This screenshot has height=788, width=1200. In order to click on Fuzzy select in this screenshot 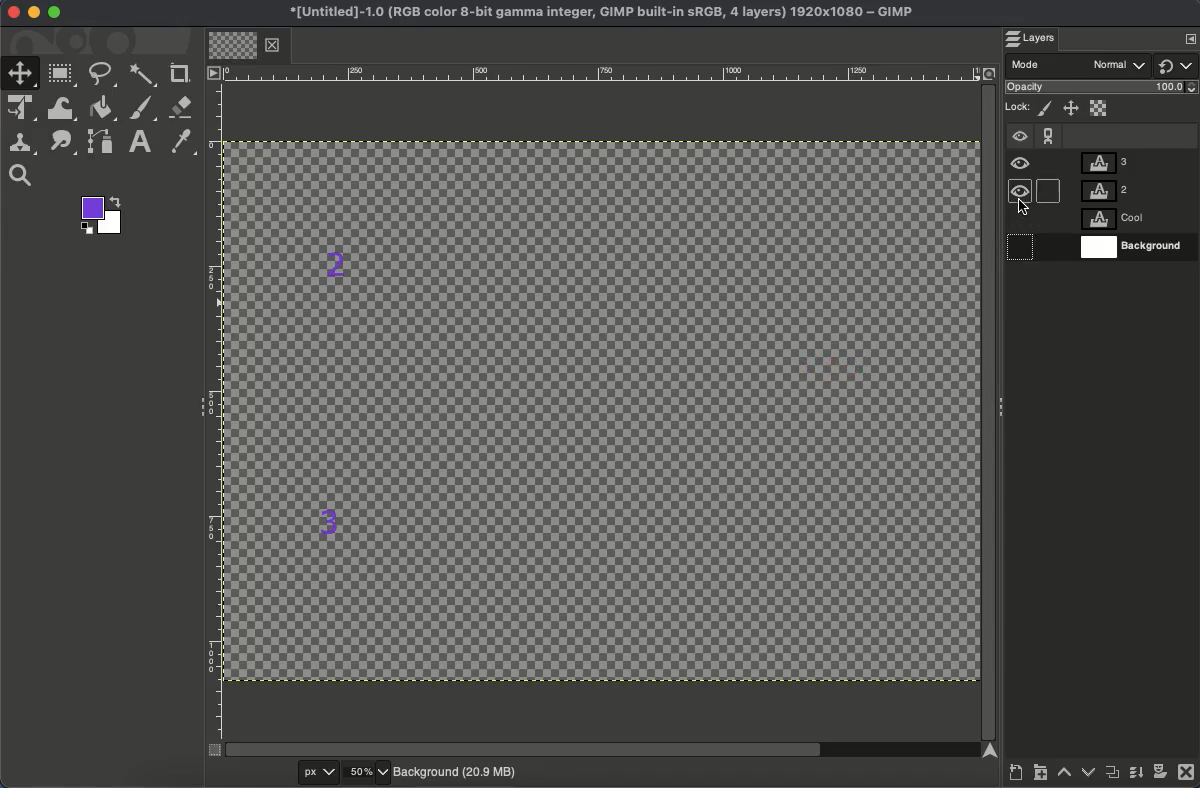, I will do `click(142, 75)`.